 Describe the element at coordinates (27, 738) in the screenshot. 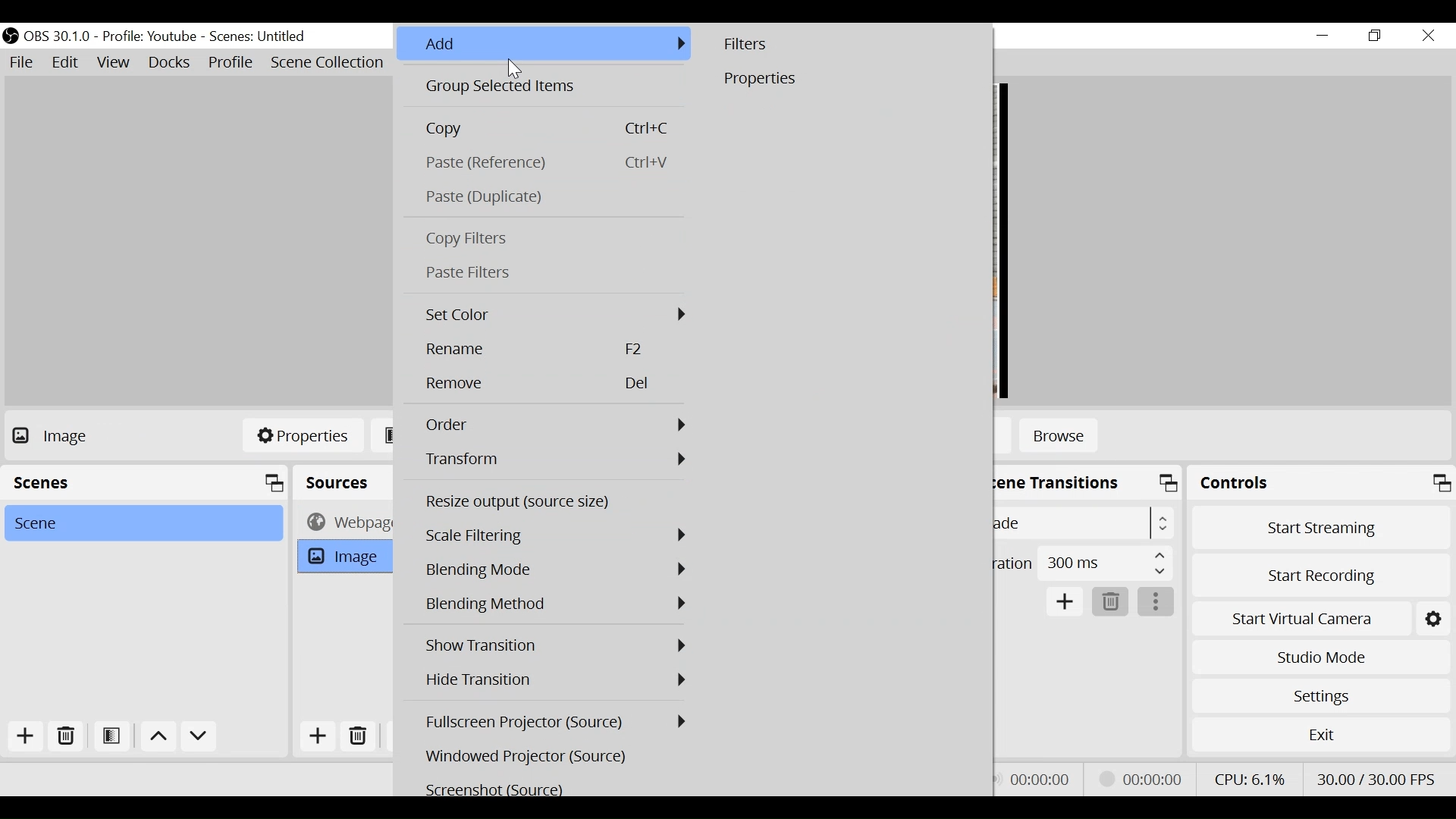

I see `Add` at that location.